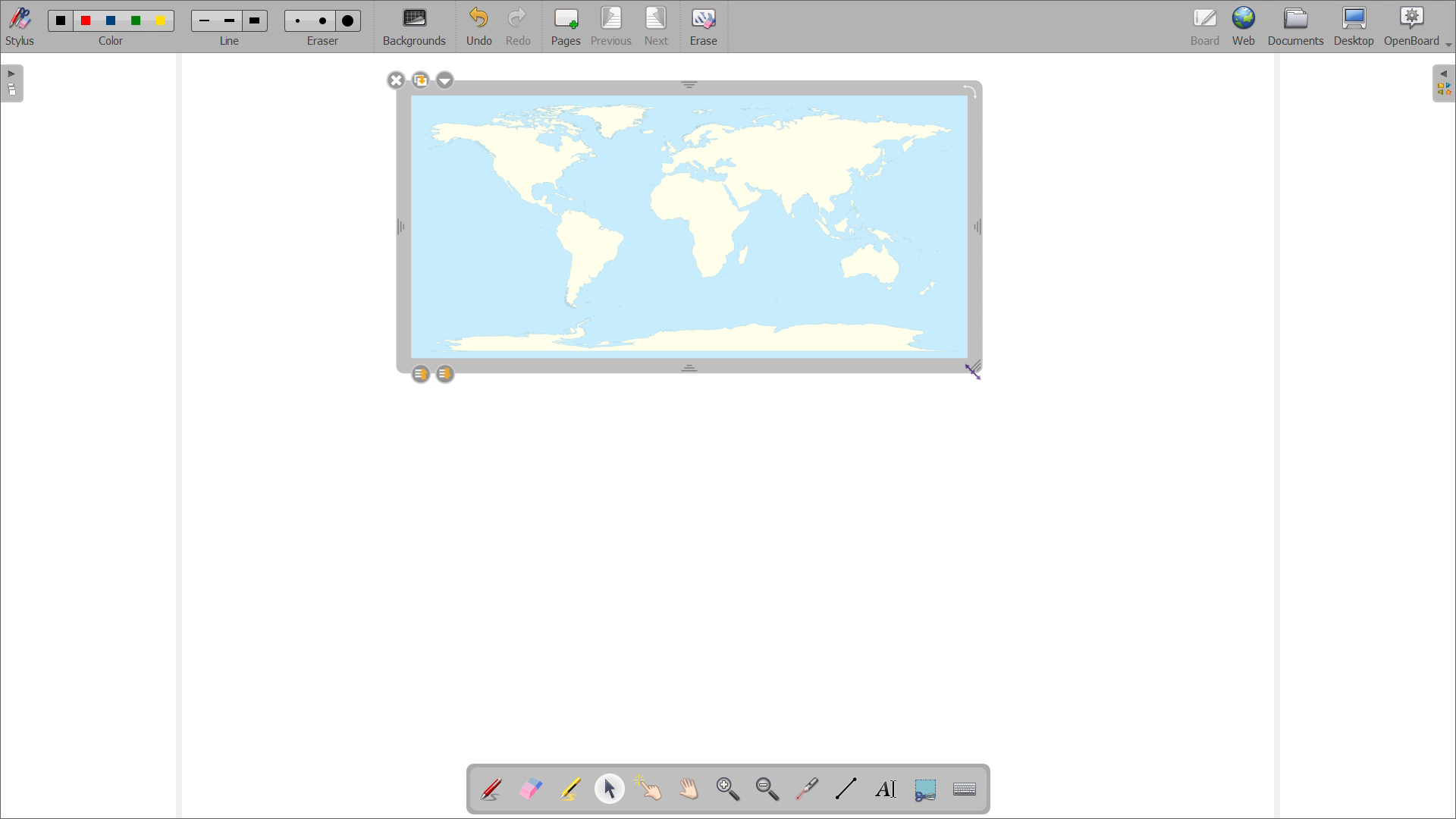 This screenshot has width=1456, height=819. I want to click on green, so click(136, 22).